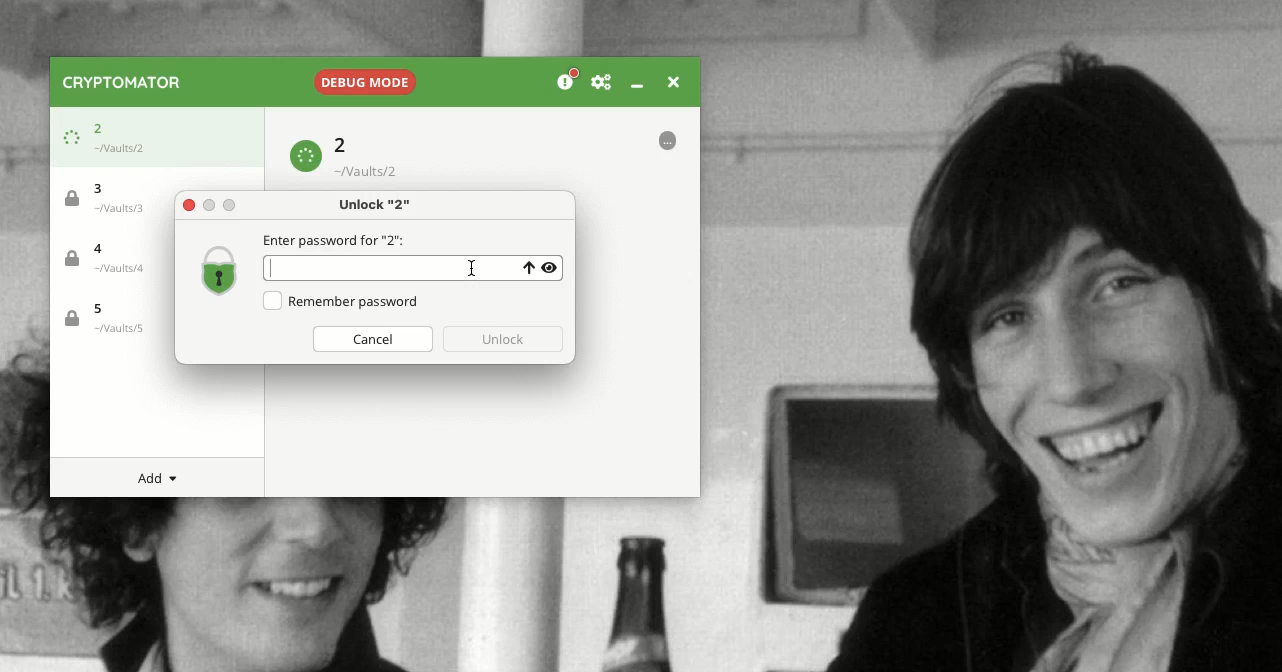 This screenshot has width=1282, height=672. Describe the element at coordinates (161, 479) in the screenshot. I see `Add menu` at that location.